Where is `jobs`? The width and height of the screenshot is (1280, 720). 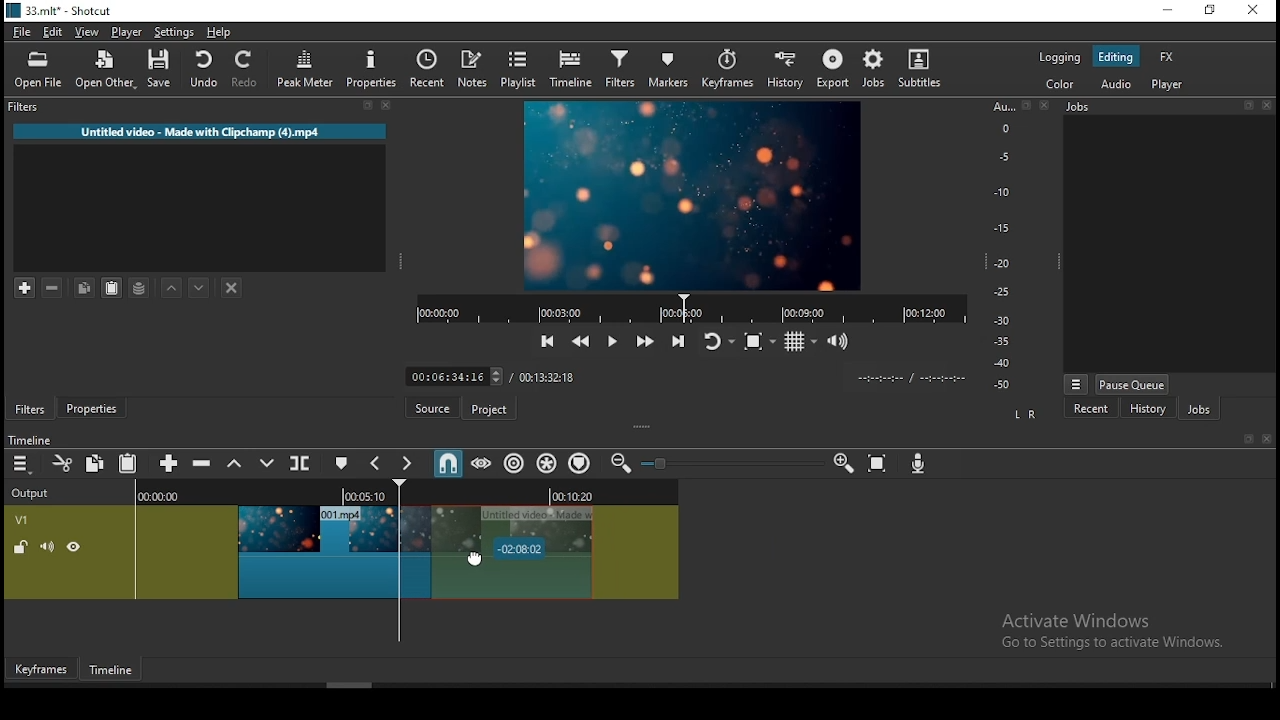 jobs is located at coordinates (1198, 411).